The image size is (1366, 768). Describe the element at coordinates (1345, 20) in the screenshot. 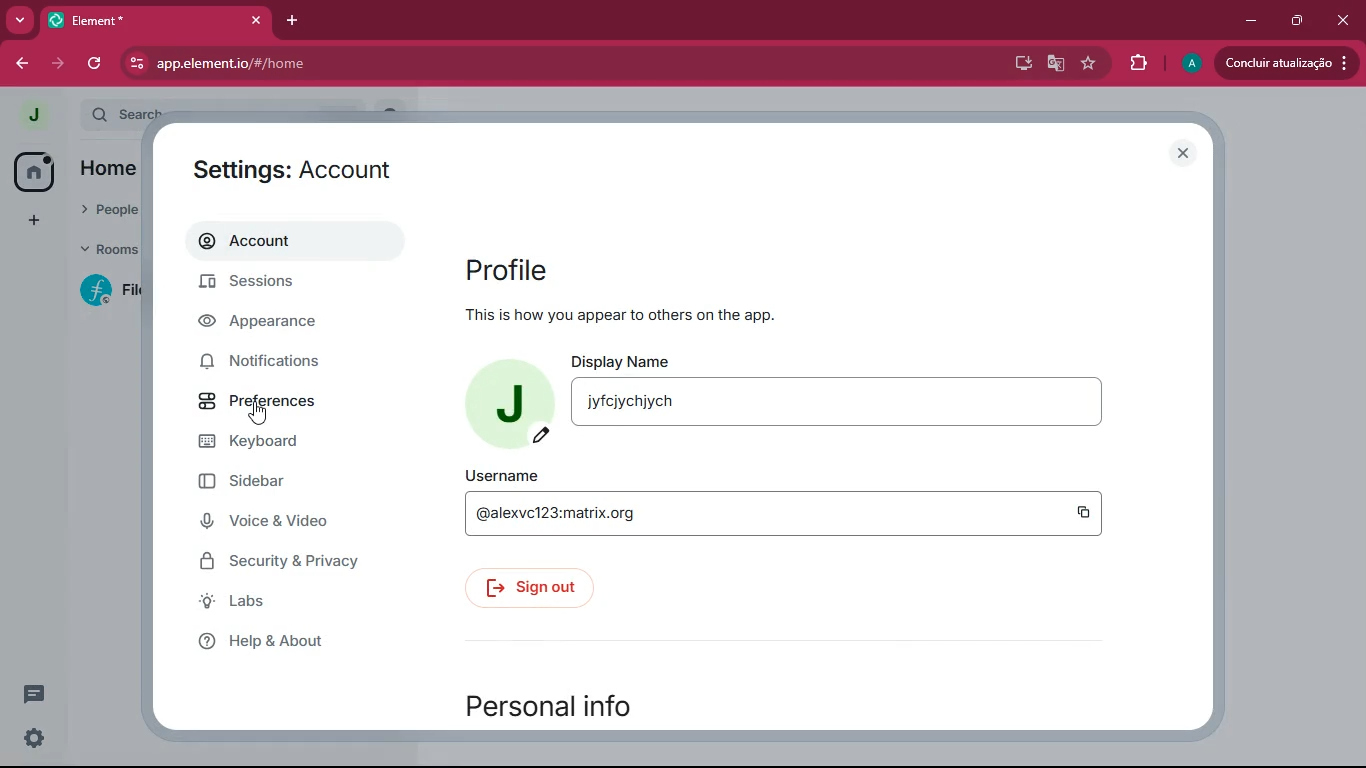

I see `close` at that location.